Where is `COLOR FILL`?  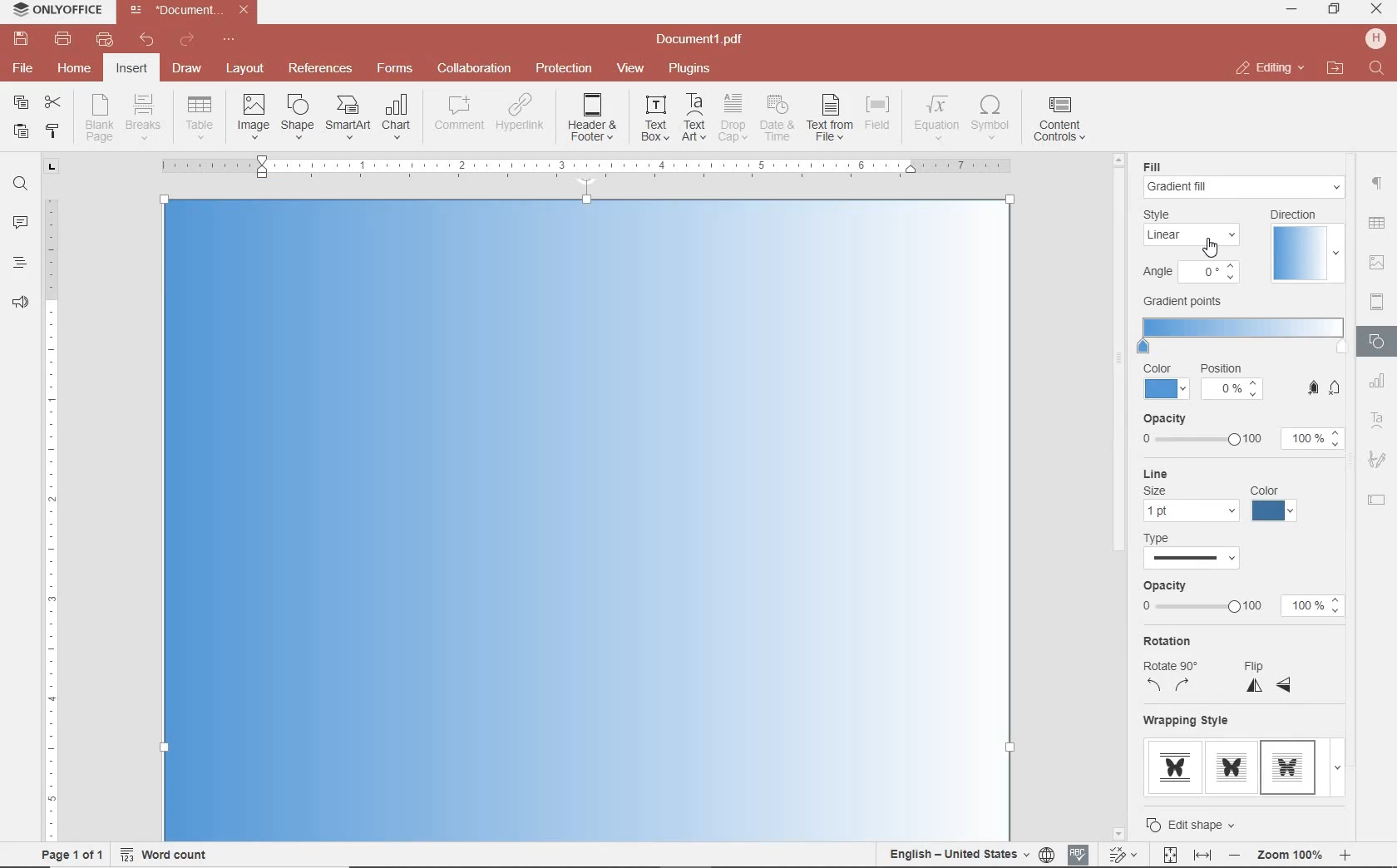
COLOR FILL is located at coordinates (1189, 217).